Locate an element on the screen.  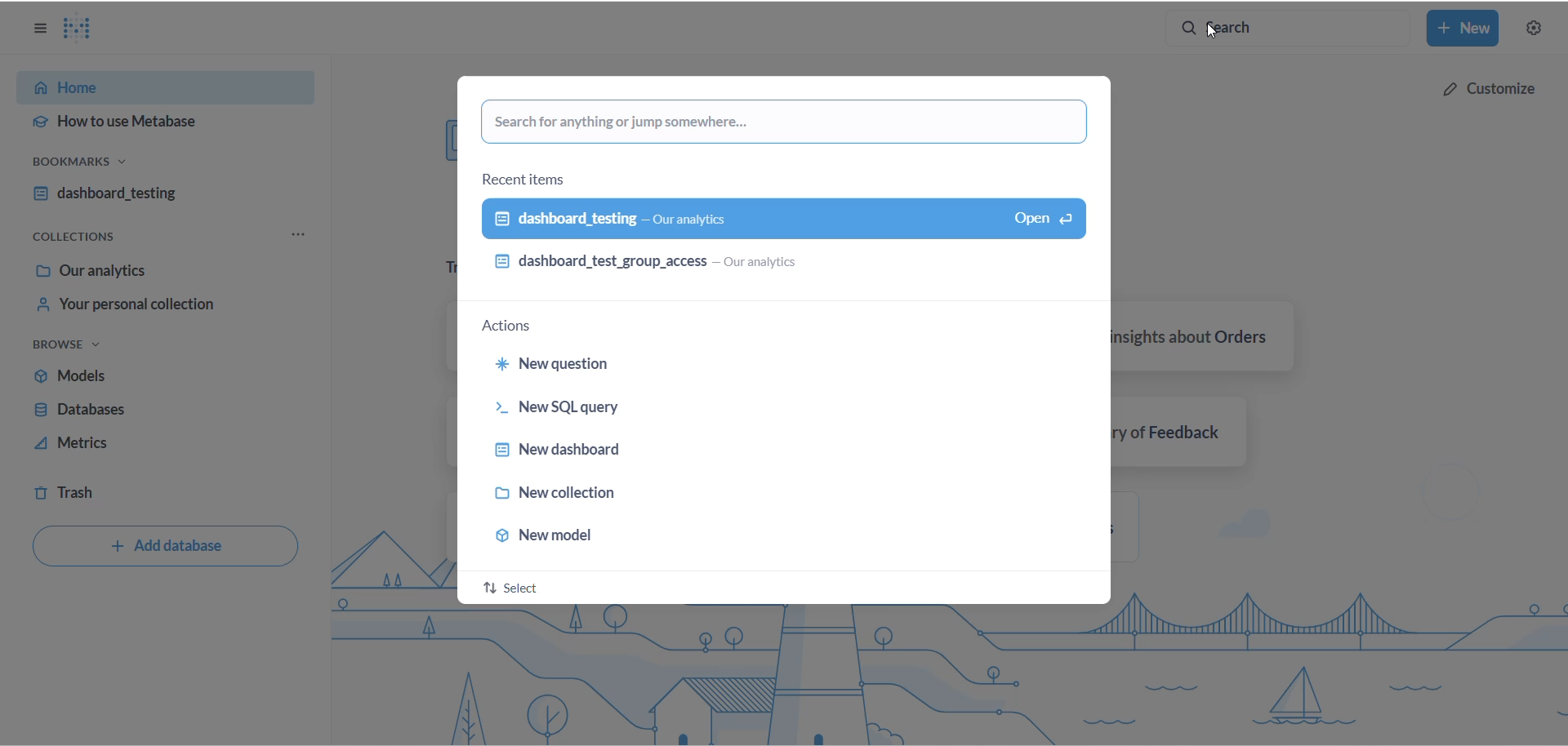
setting is located at coordinates (1533, 29).